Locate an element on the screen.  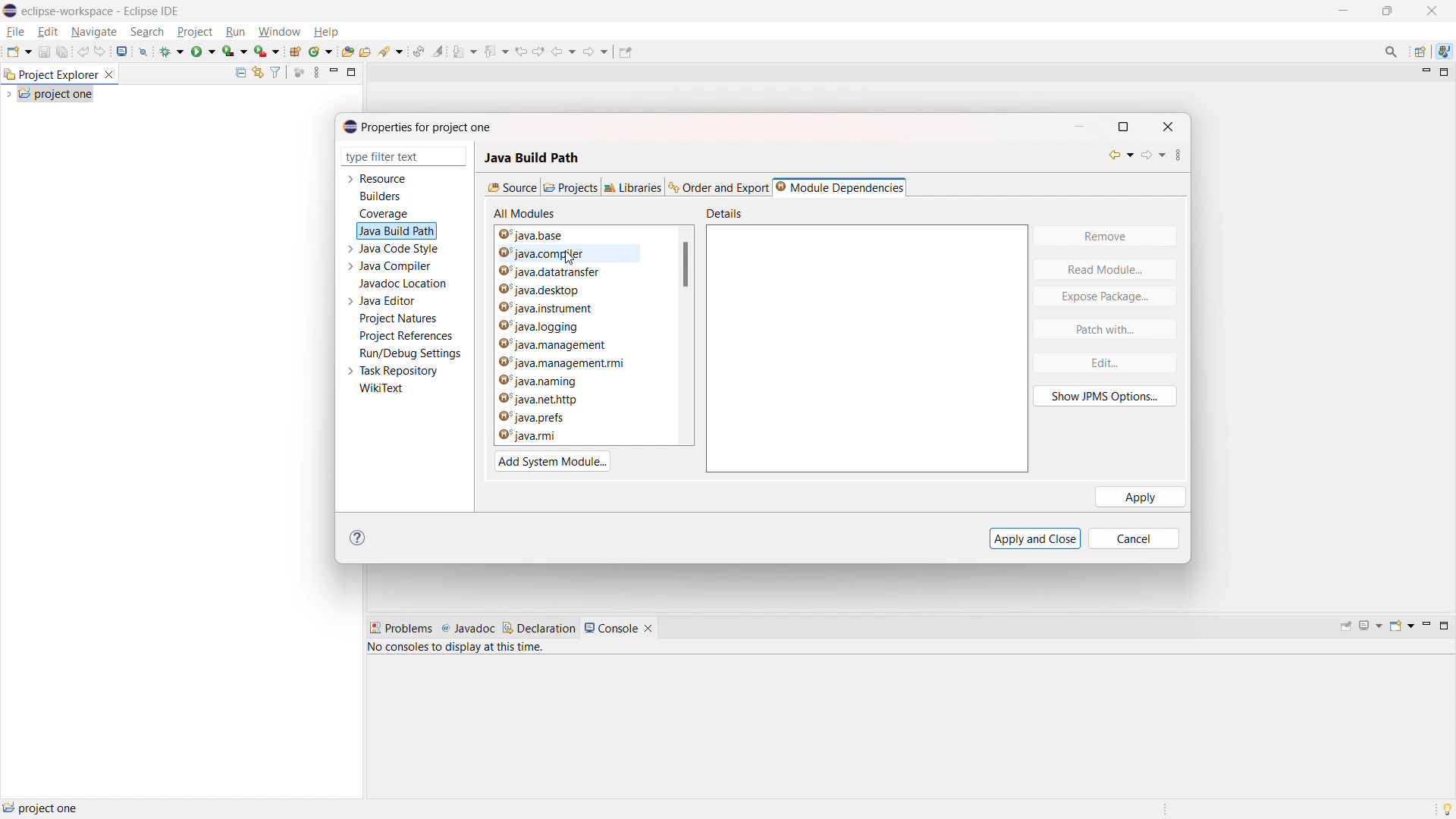
redo is located at coordinates (101, 51).